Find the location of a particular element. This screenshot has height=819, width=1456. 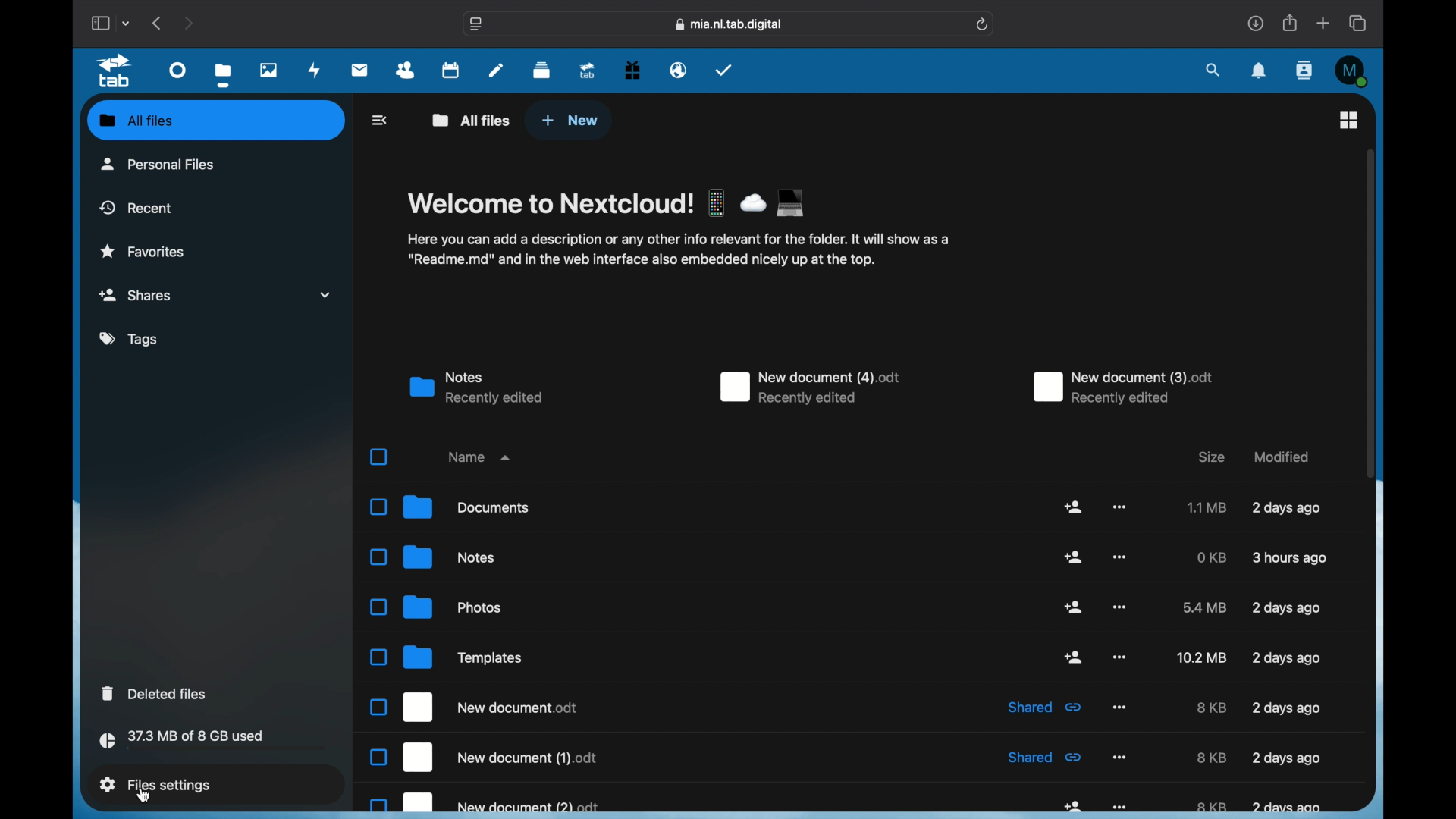

email is located at coordinates (678, 71).